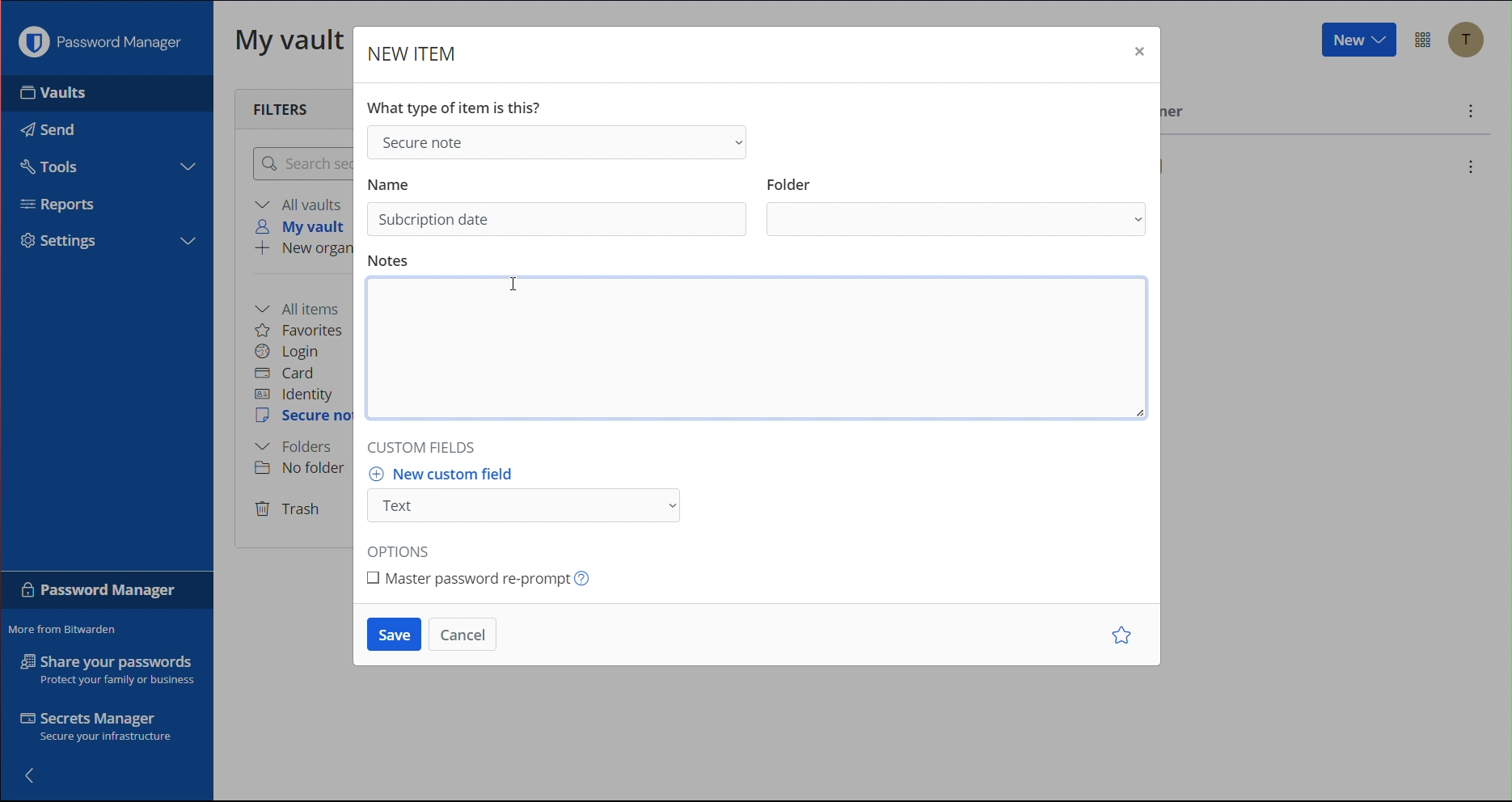 The height and width of the screenshot is (802, 1512). What do you see at coordinates (394, 635) in the screenshot?
I see `Save` at bounding box center [394, 635].